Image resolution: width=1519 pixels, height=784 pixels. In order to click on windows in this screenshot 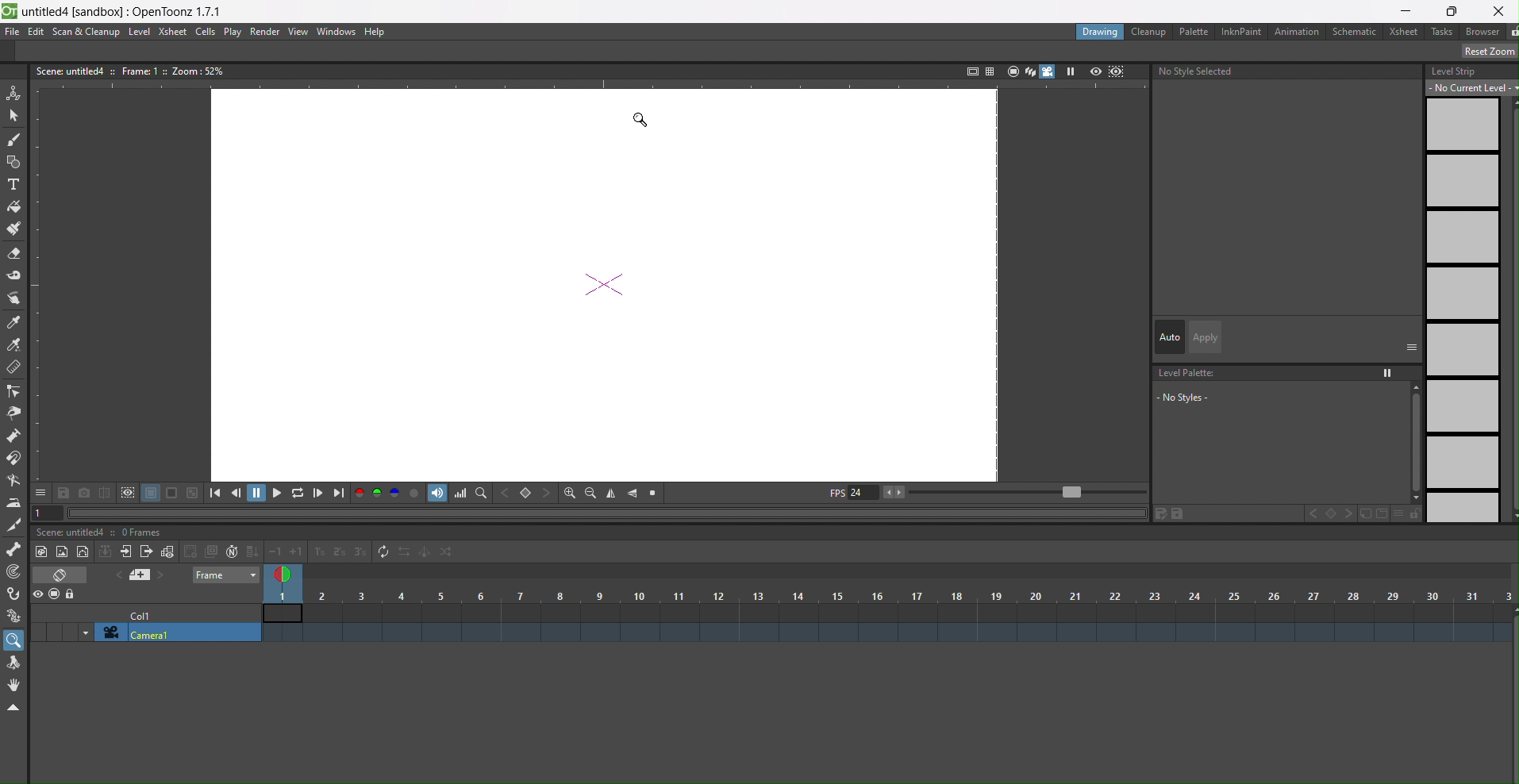, I will do `click(337, 33)`.